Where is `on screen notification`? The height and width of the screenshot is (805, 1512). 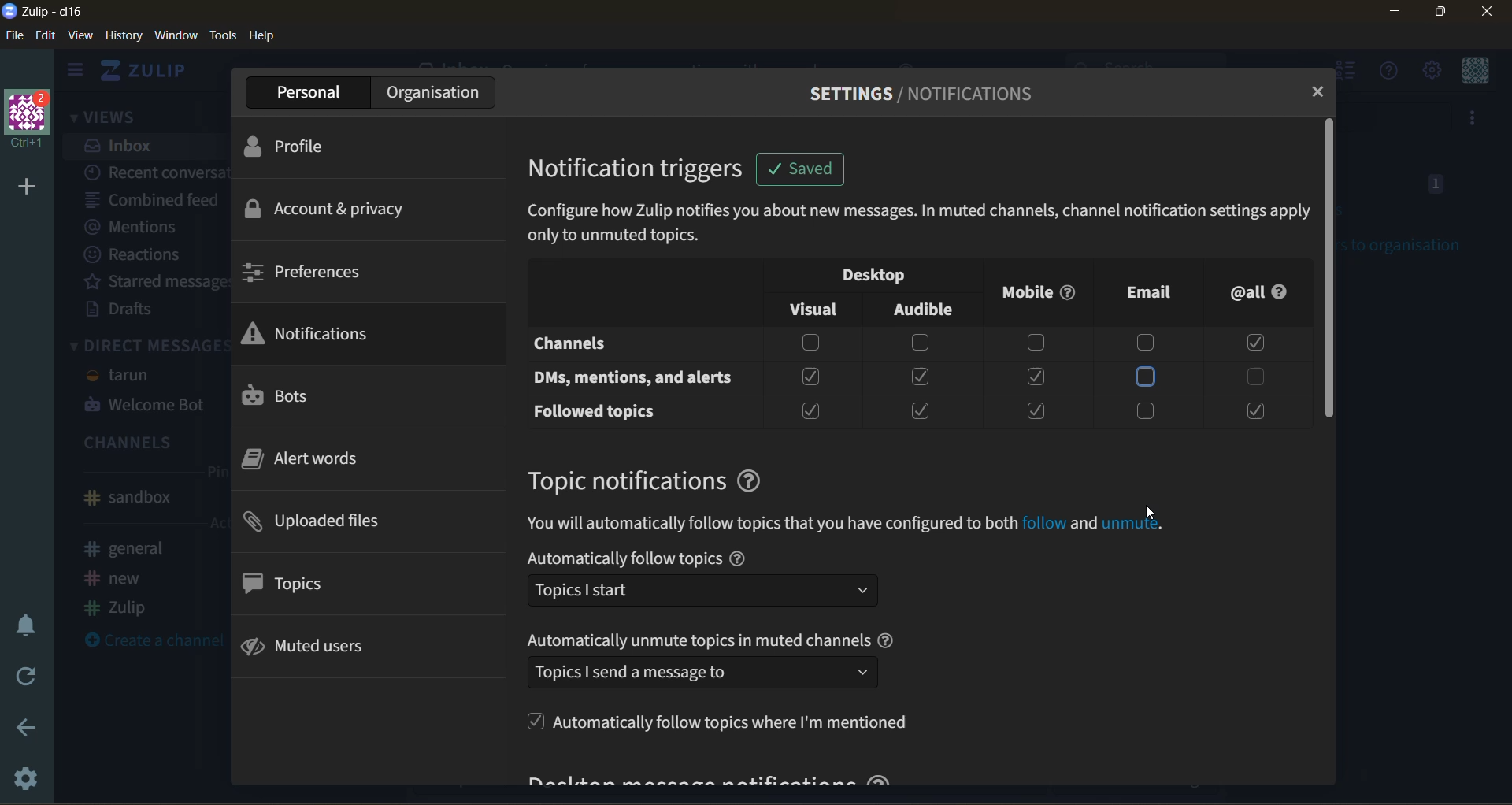 on screen notification is located at coordinates (798, 172).